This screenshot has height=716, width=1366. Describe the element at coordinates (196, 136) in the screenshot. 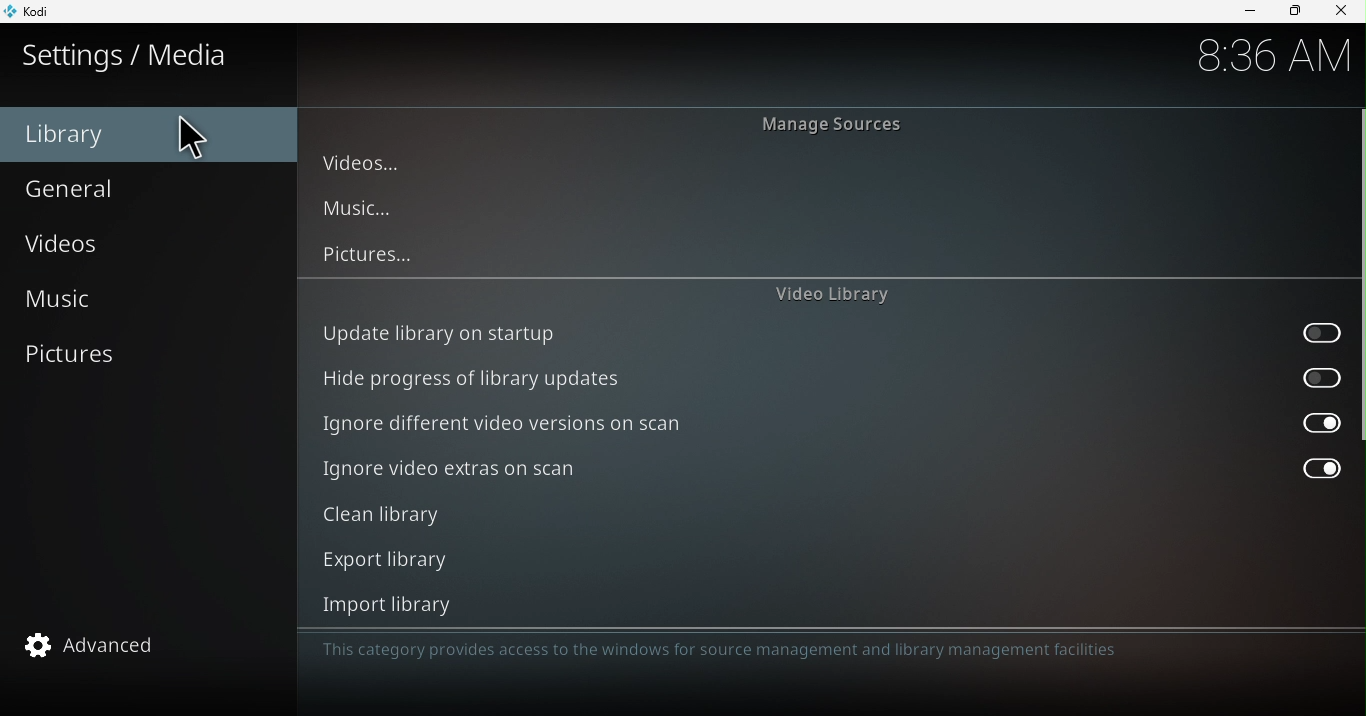

I see `cursor` at that location.